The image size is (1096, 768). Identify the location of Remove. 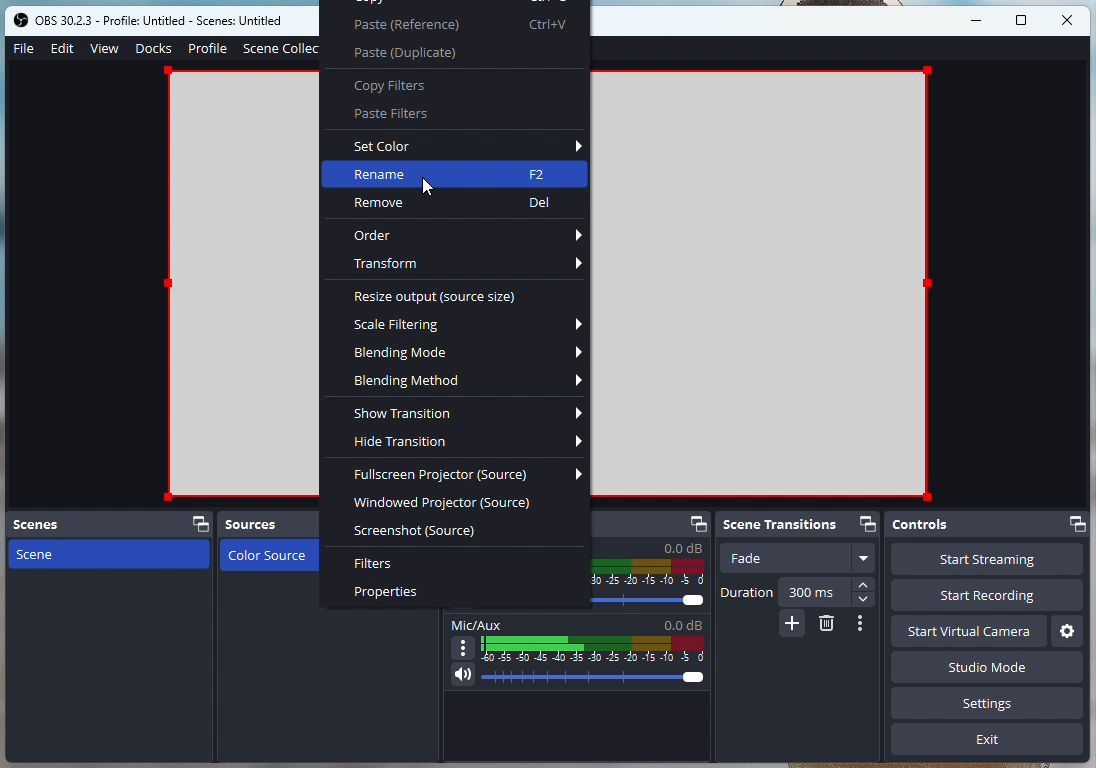
(459, 201).